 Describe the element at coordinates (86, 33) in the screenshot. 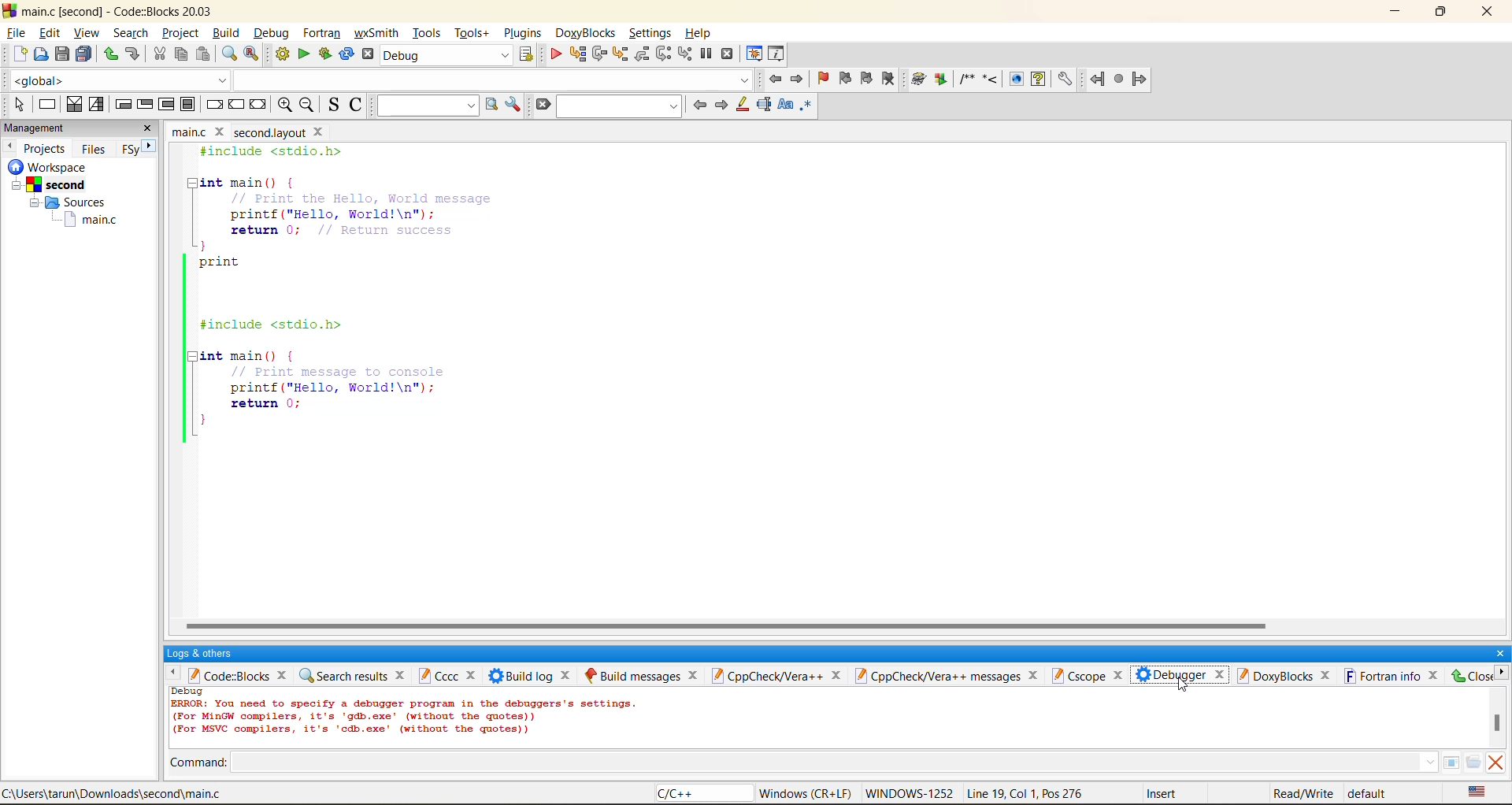

I see `view` at that location.